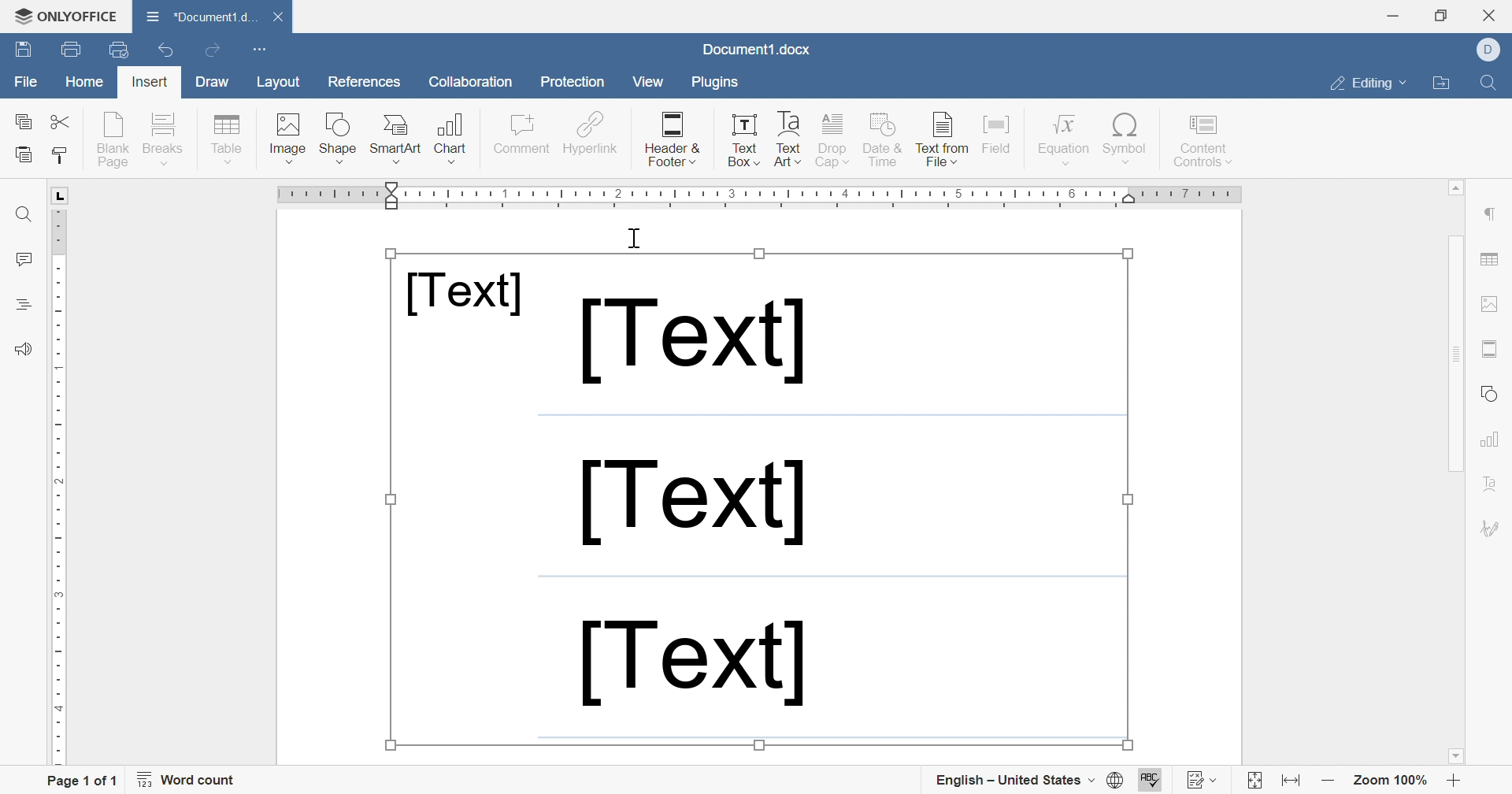  I want to click on Cut, so click(63, 121).